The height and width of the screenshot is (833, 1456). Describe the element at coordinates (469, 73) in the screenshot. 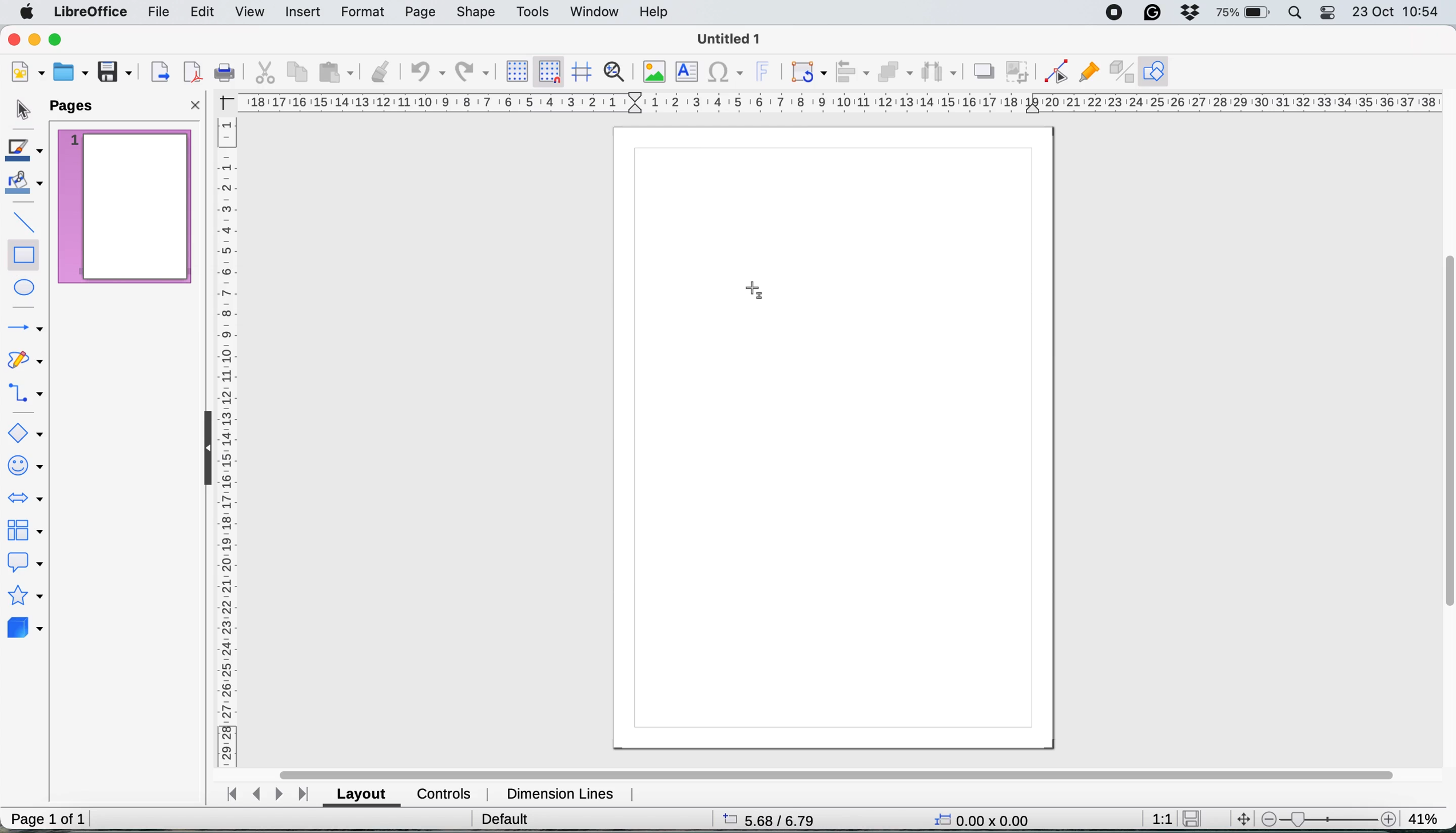

I see `redp` at that location.